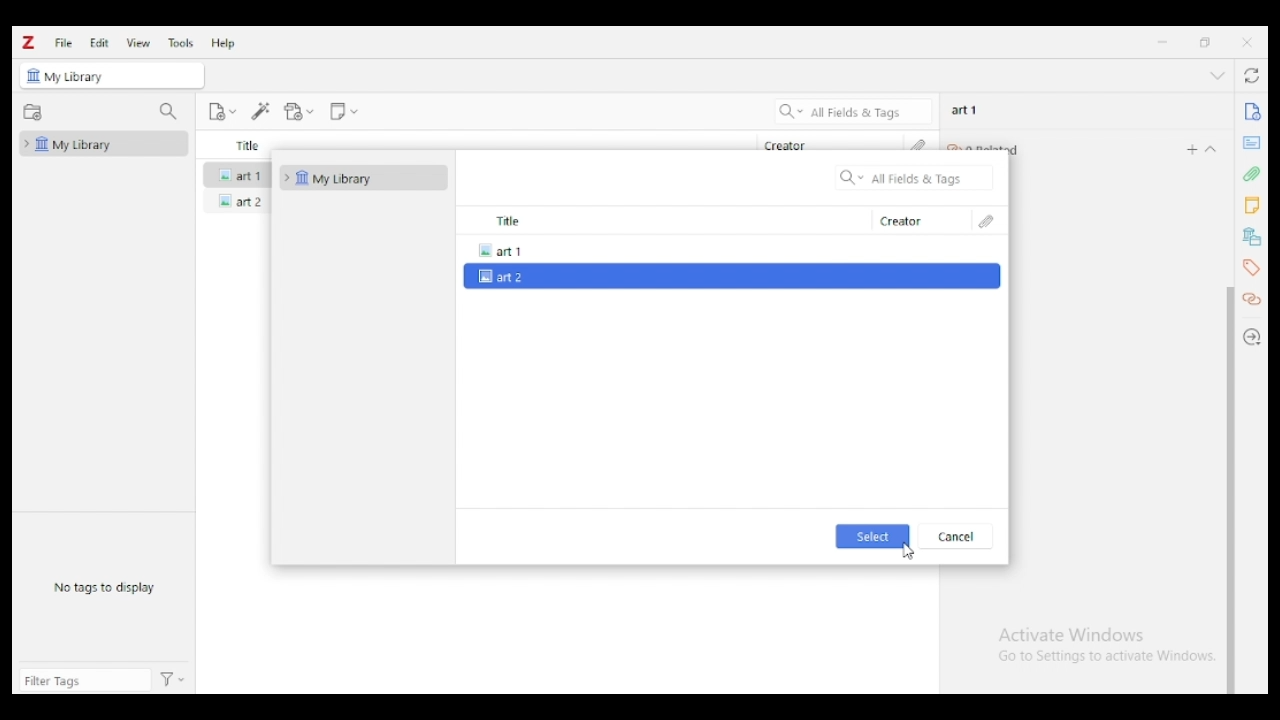  I want to click on new item, so click(222, 111).